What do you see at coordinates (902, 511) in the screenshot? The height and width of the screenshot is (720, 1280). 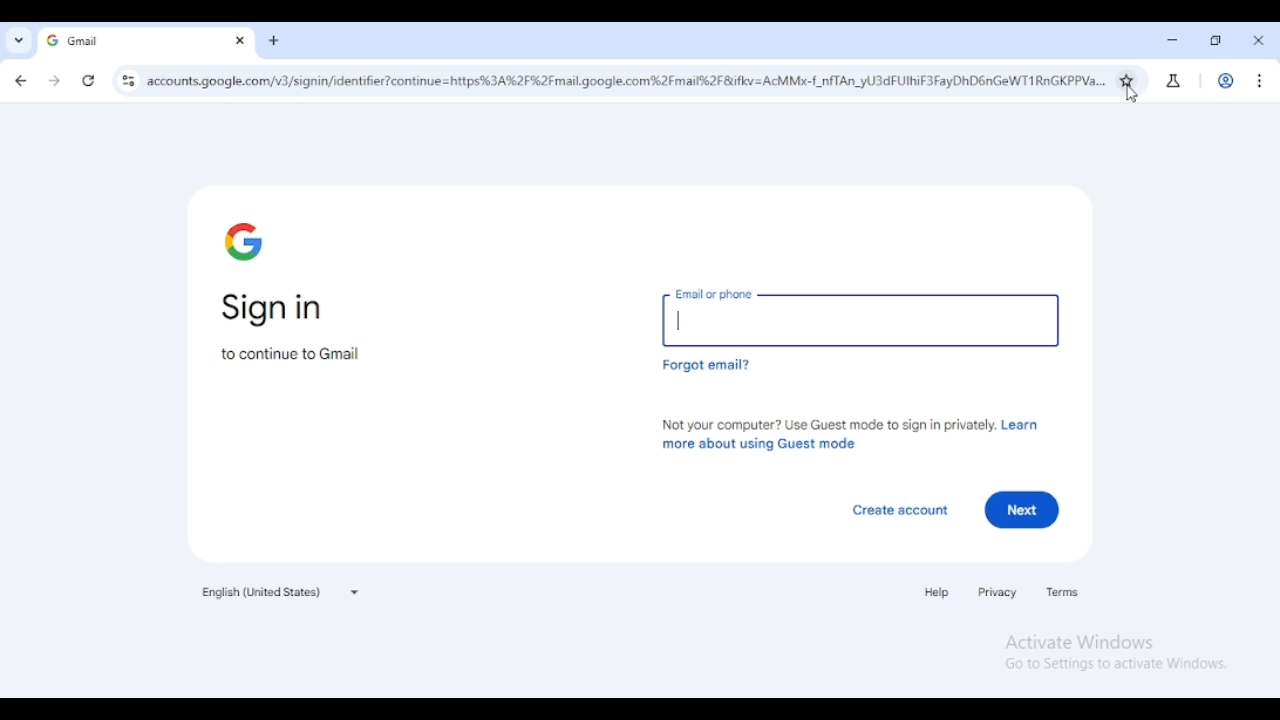 I see `create account` at bounding box center [902, 511].